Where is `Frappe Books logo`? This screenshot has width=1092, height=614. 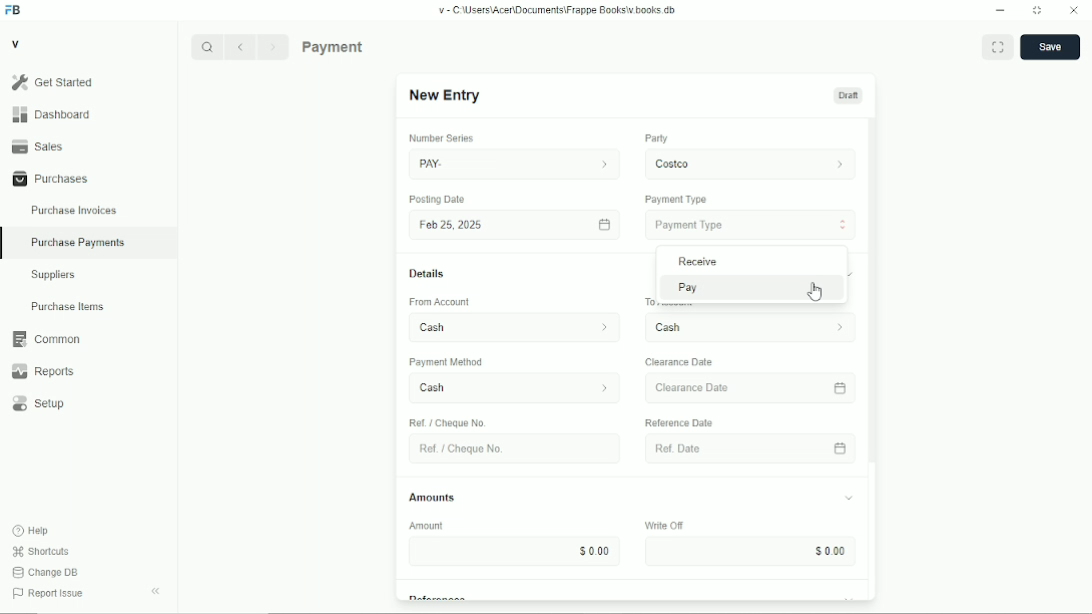 Frappe Books logo is located at coordinates (12, 10).